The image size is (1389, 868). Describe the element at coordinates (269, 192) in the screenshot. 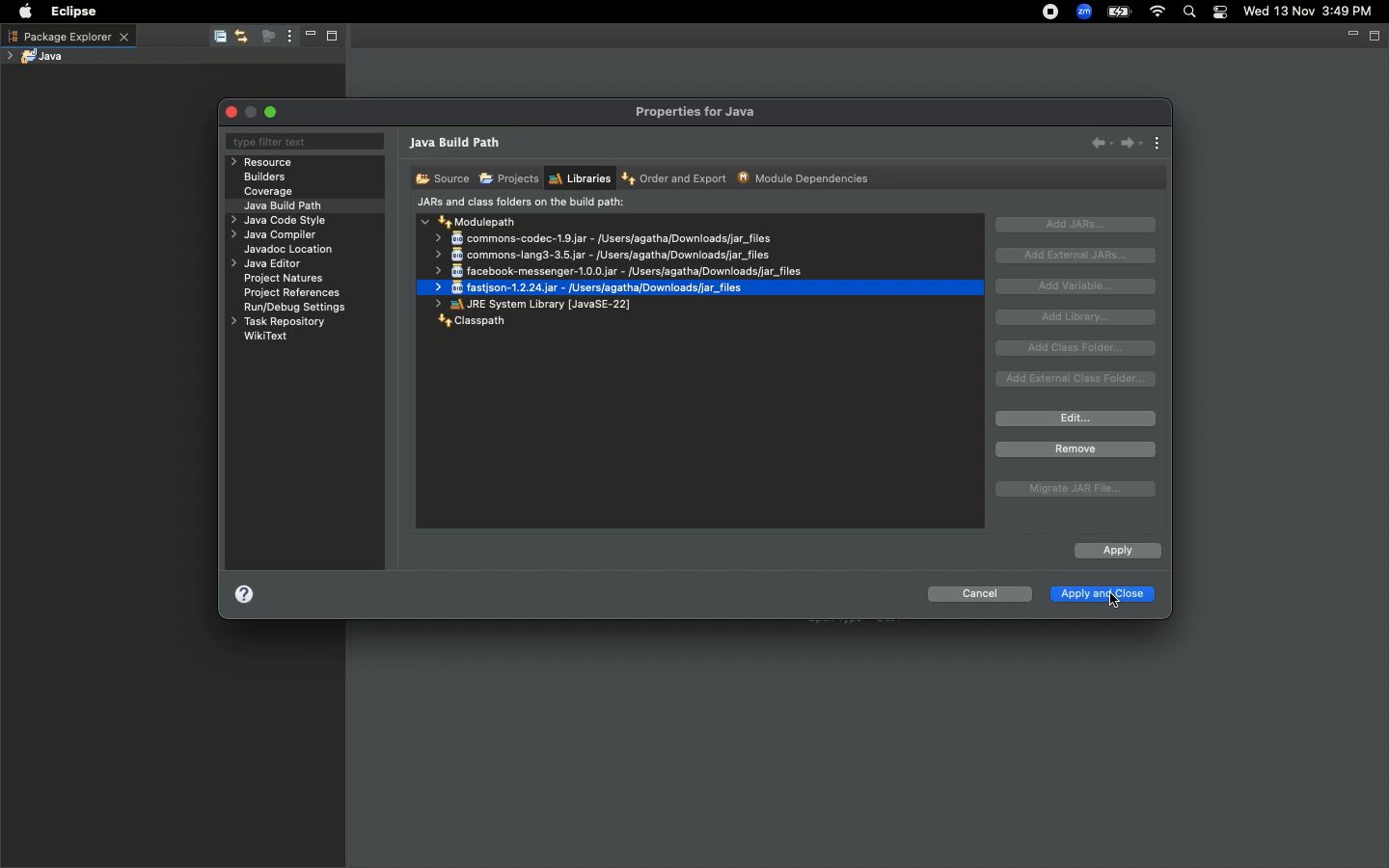

I see `Coverage` at that location.